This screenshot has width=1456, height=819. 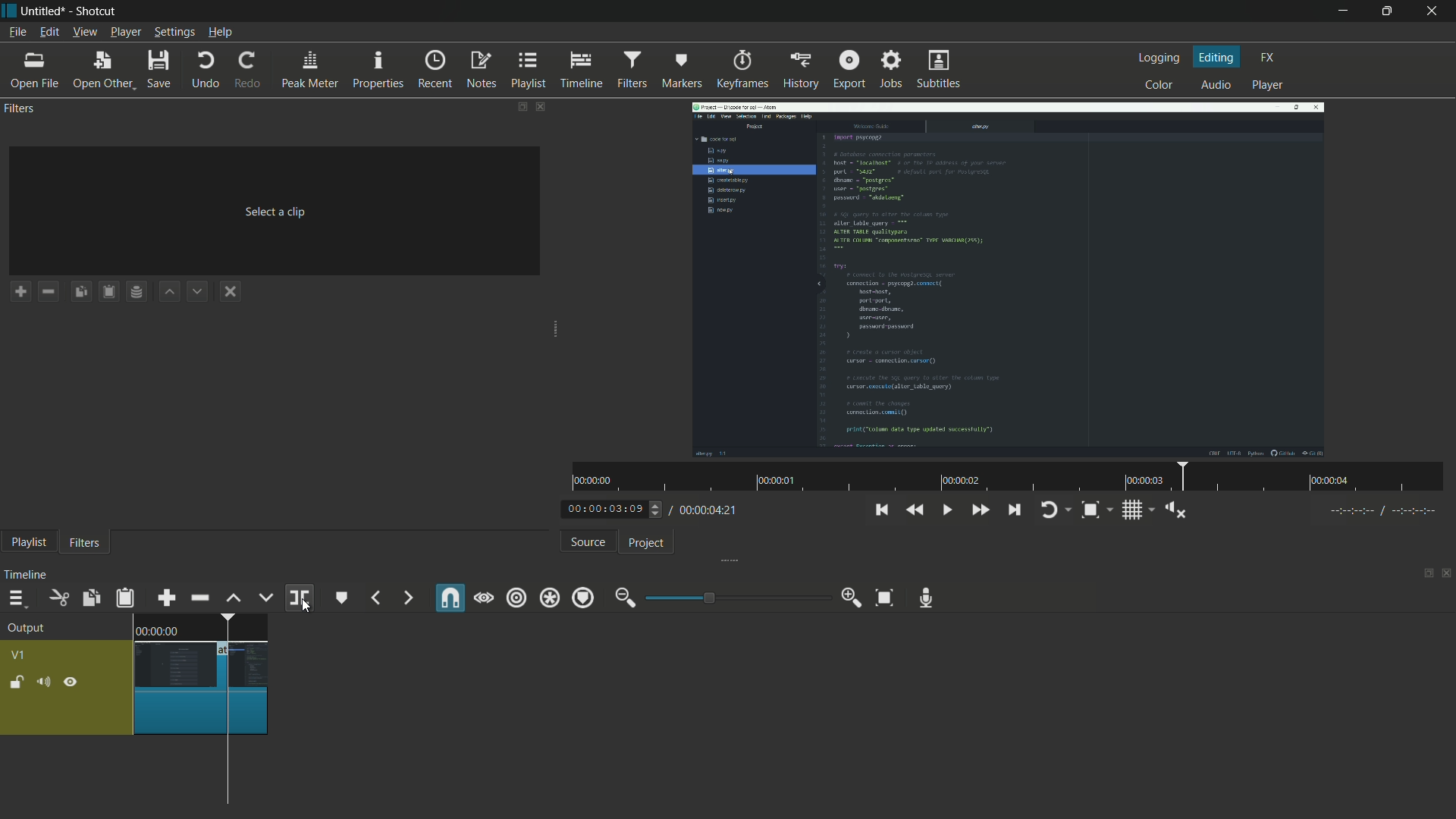 I want to click on output, so click(x=28, y=628).